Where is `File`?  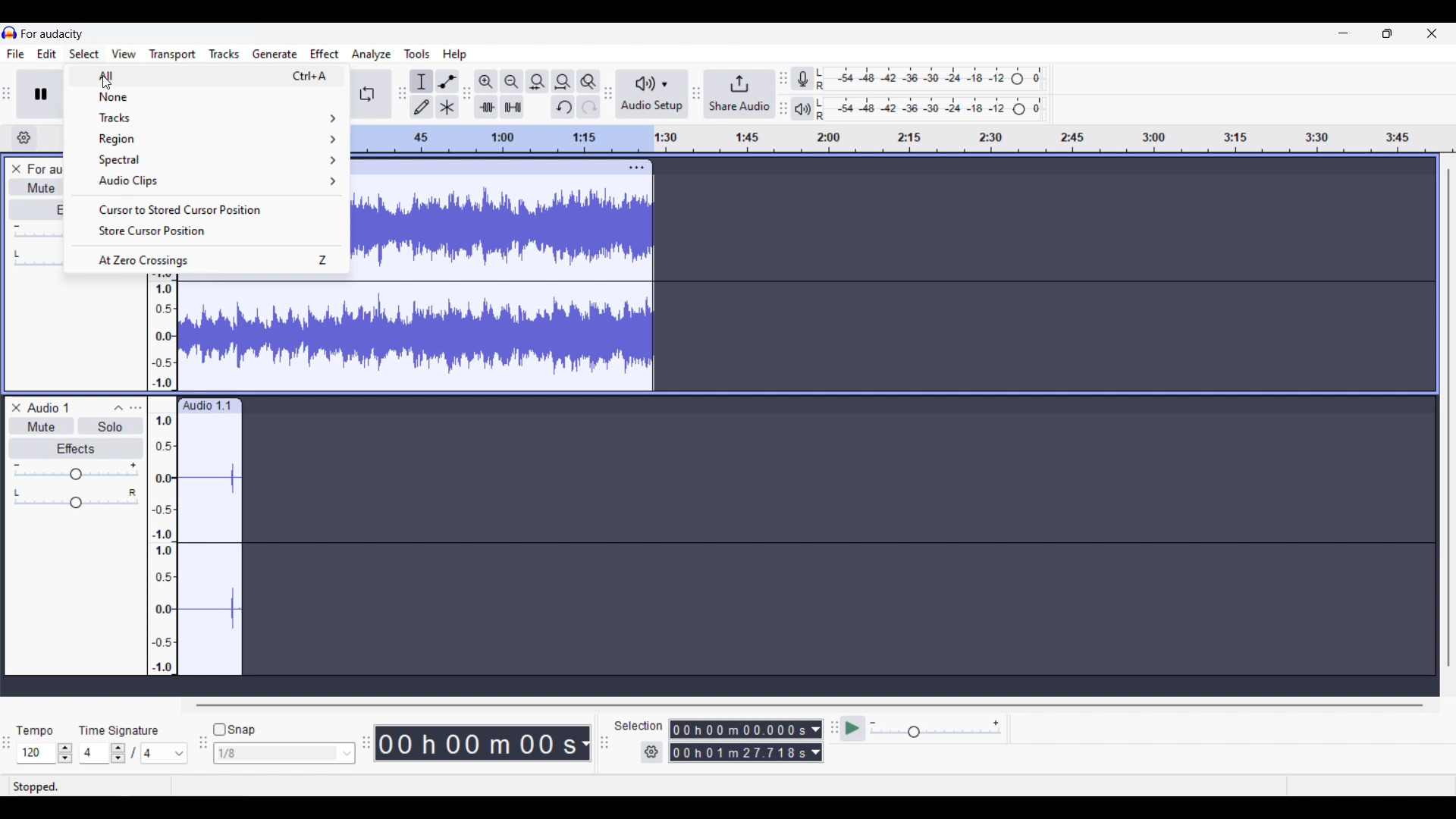
File is located at coordinates (15, 54).